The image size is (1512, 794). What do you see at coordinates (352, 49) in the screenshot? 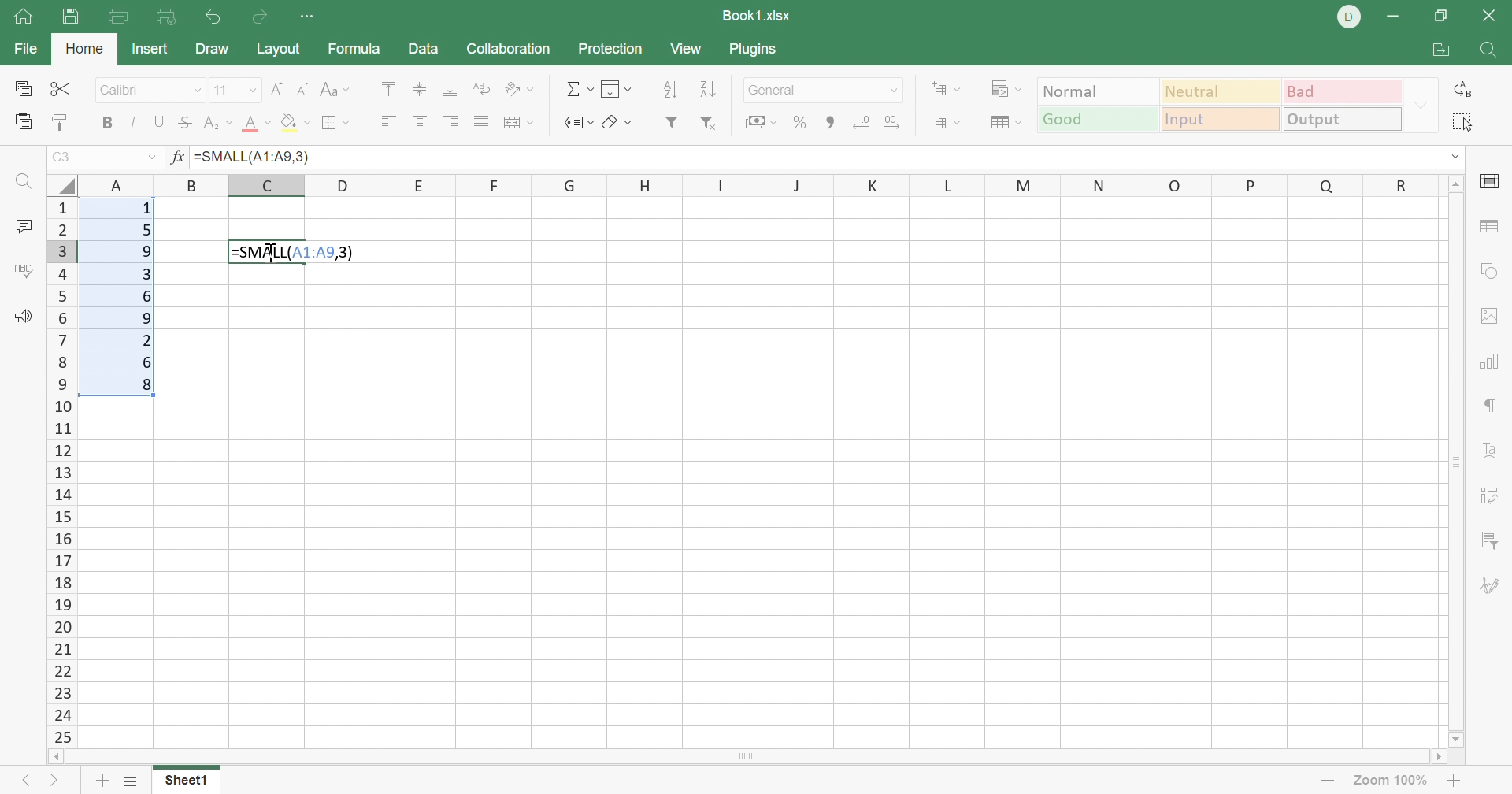
I see `Formula` at bounding box center [352, 49].